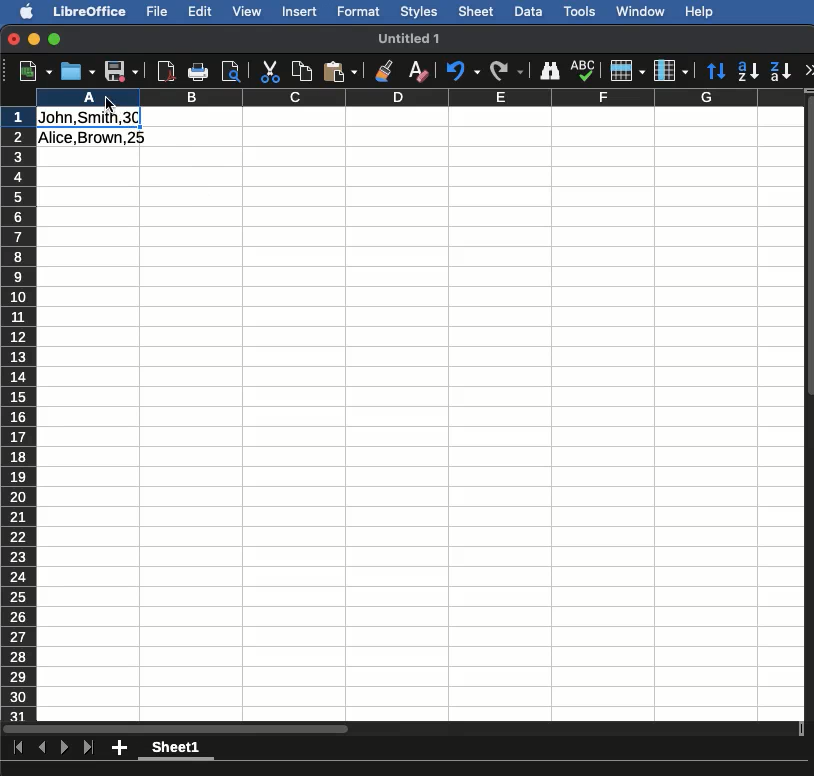 The height and width of the screenshot is (776, 814). Describe the element at coordinates (122, 69) in the screenshot. I see `Save` at that location.